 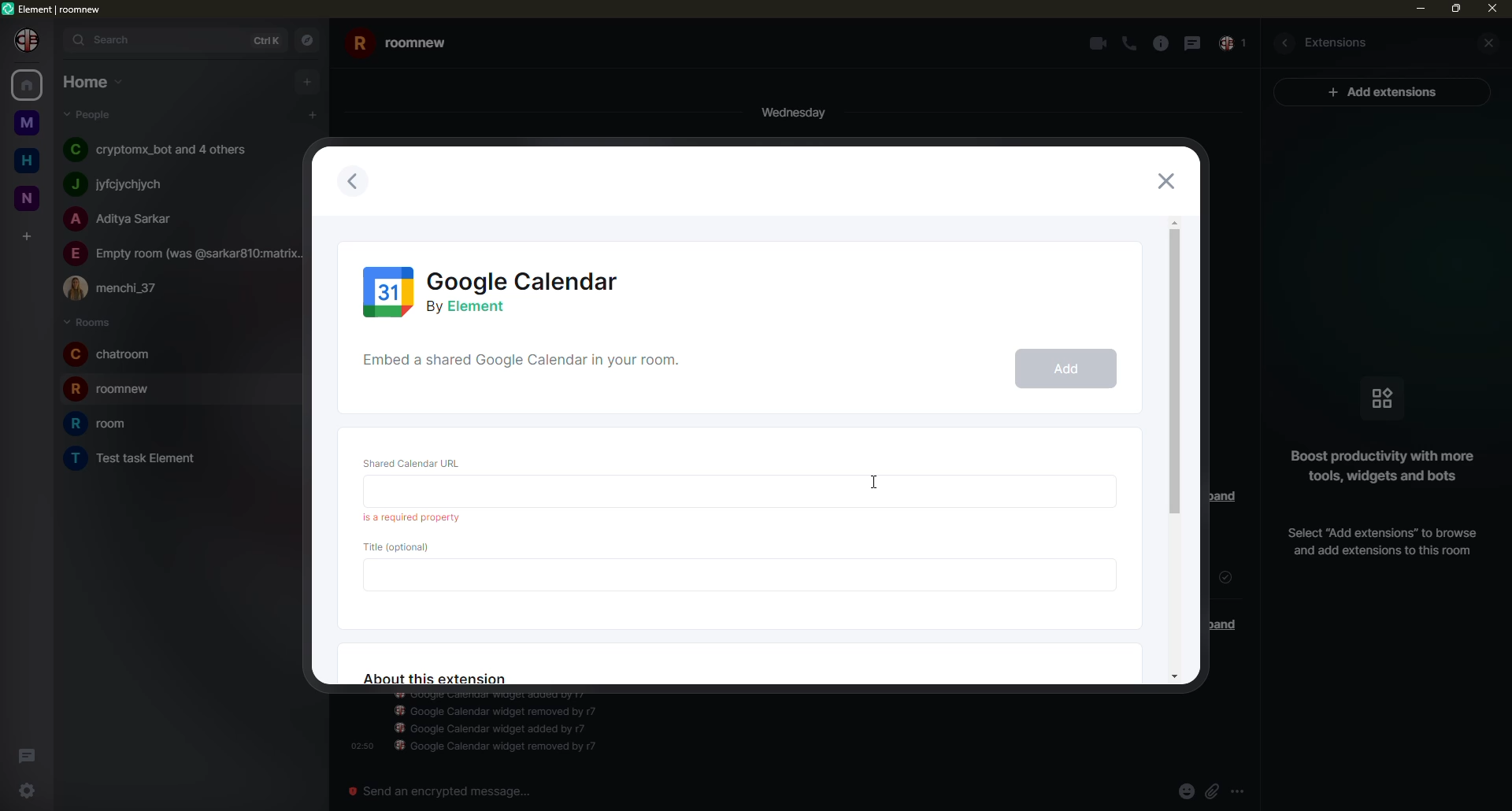 I want to click on add, so click(x=1064, y=369).